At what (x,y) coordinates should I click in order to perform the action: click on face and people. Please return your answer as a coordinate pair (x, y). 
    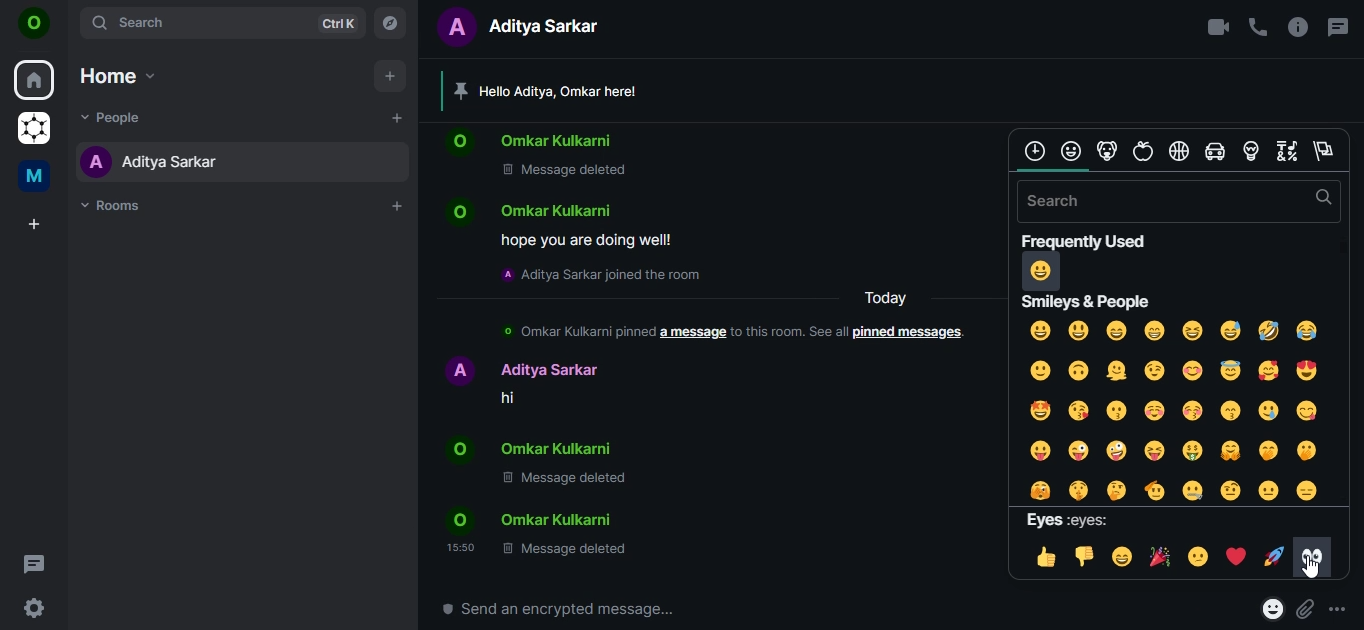
    Looking at the image, I should click on (1071, 150).